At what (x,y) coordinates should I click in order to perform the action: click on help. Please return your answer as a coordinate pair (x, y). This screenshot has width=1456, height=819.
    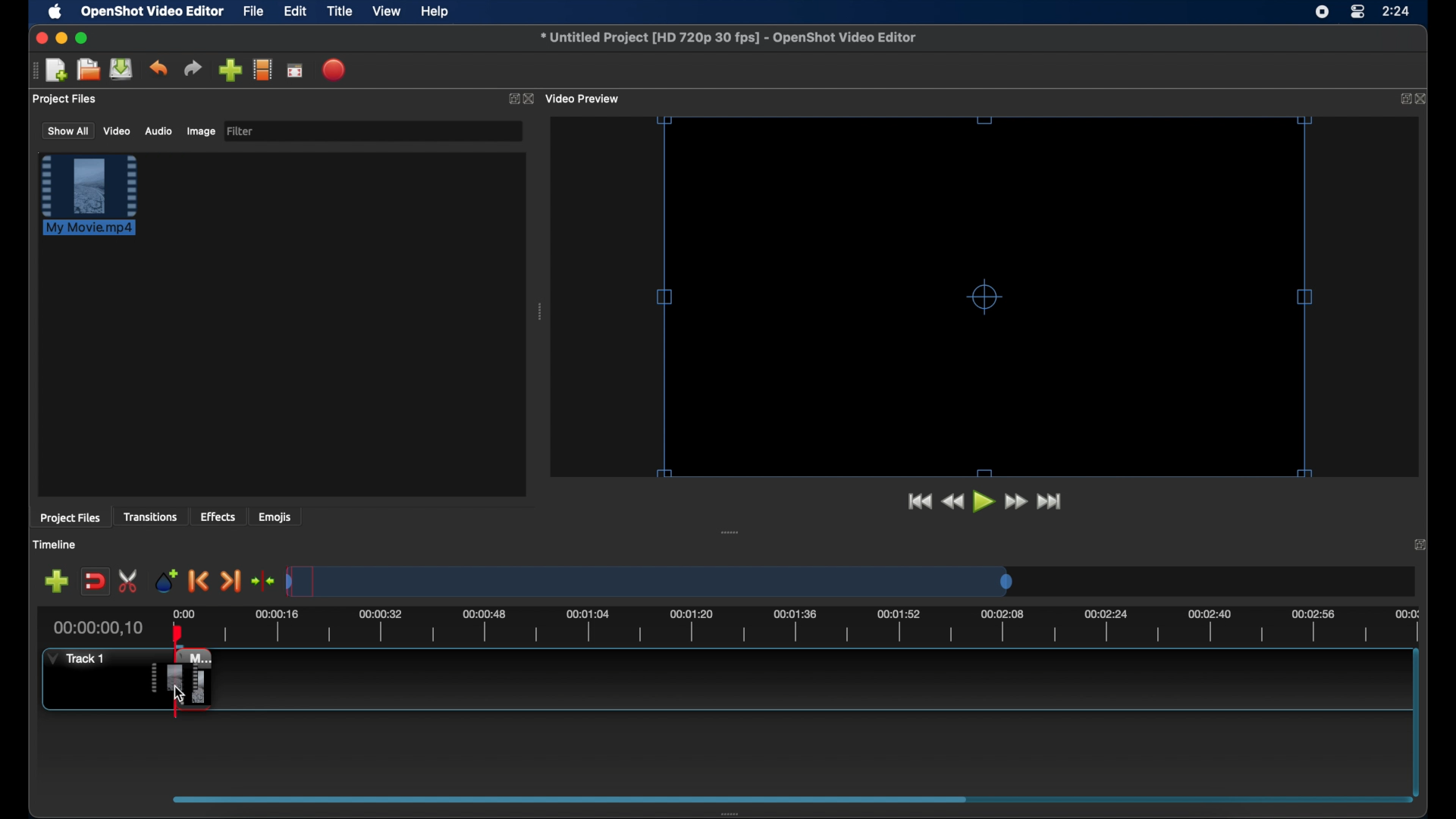
    Looking at the image, I should click on (437, 11).